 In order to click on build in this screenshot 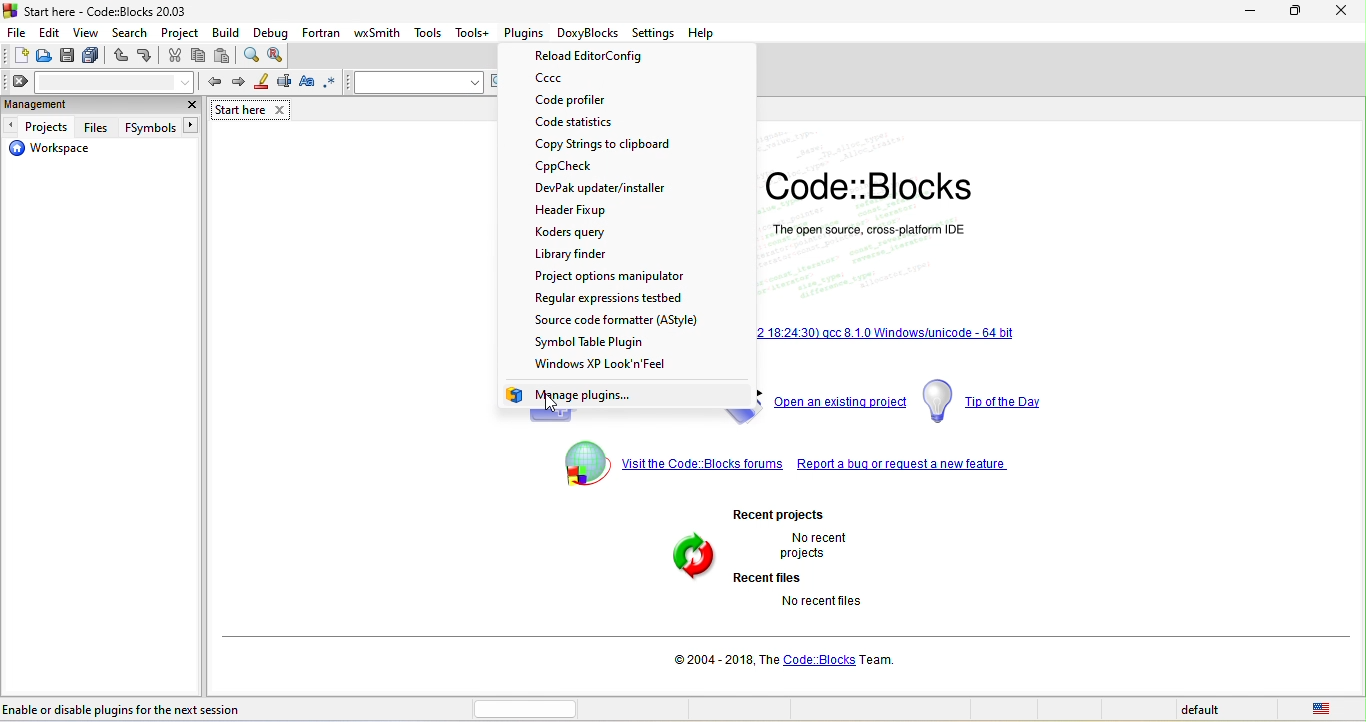, I will do `click(227, 32)`.